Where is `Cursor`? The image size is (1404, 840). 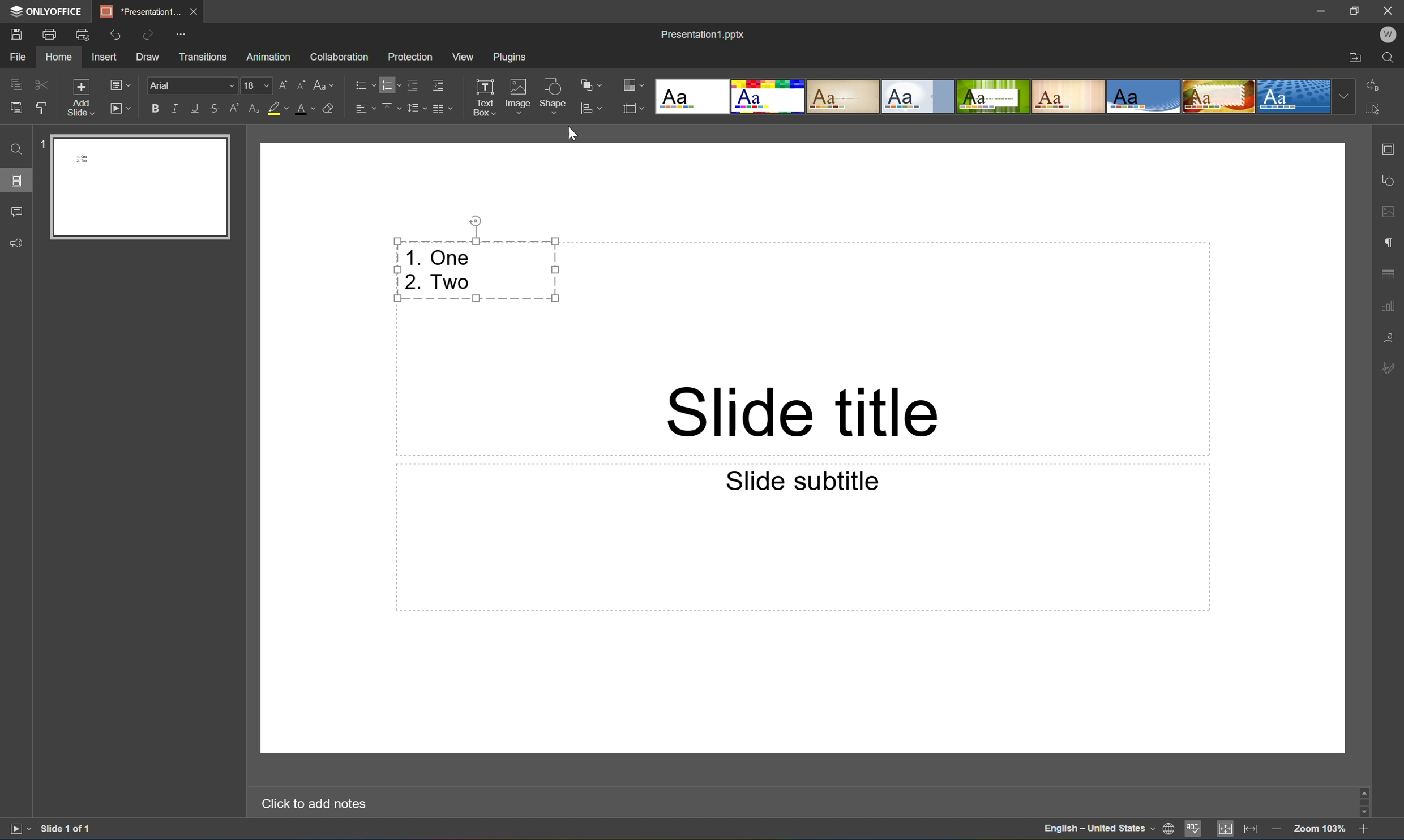 Cursor is located at coordinates (572, 133).